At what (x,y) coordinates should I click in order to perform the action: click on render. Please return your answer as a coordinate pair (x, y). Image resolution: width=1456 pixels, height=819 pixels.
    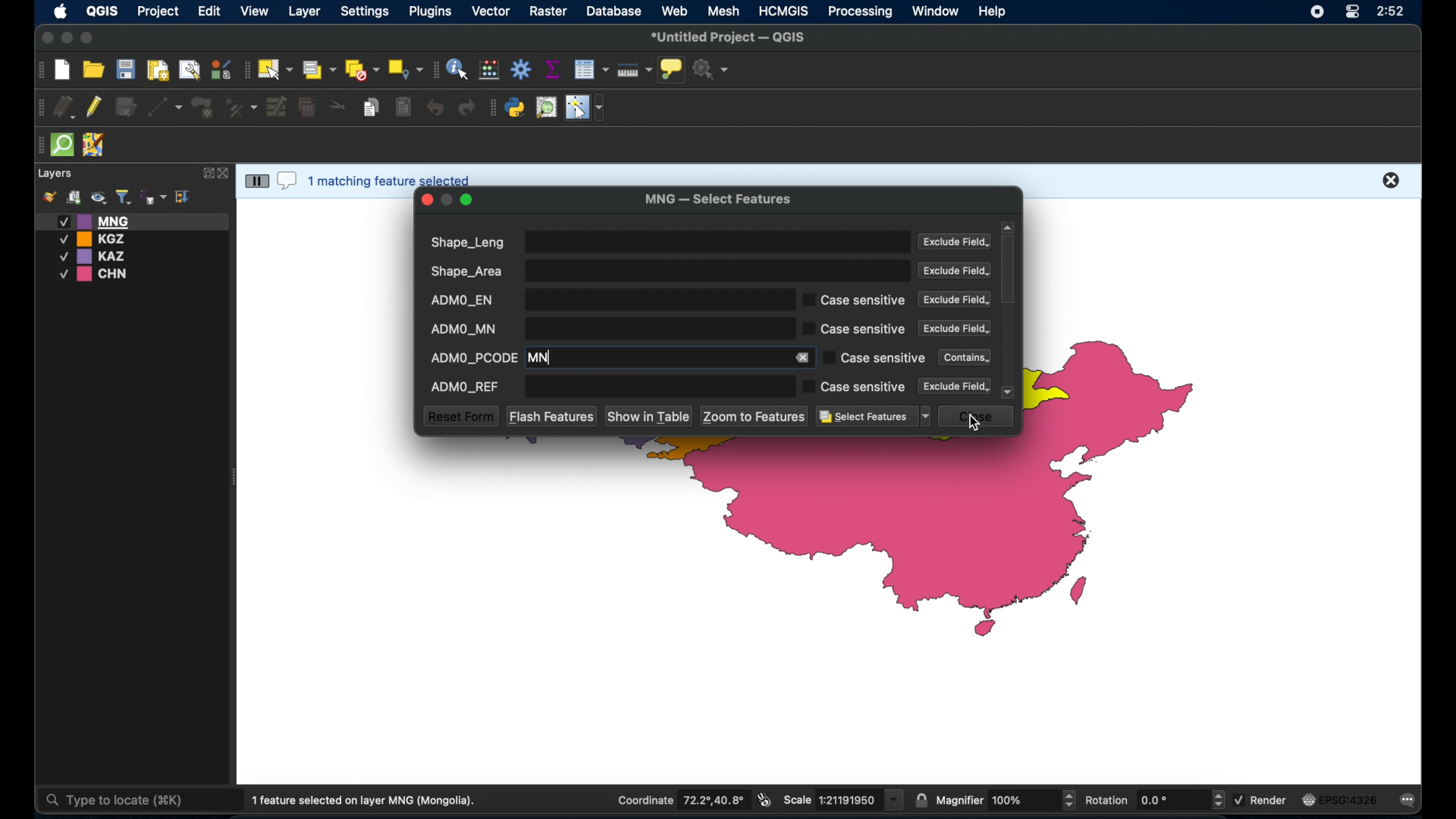
    Looking at the image, I should click on (1264, 799).